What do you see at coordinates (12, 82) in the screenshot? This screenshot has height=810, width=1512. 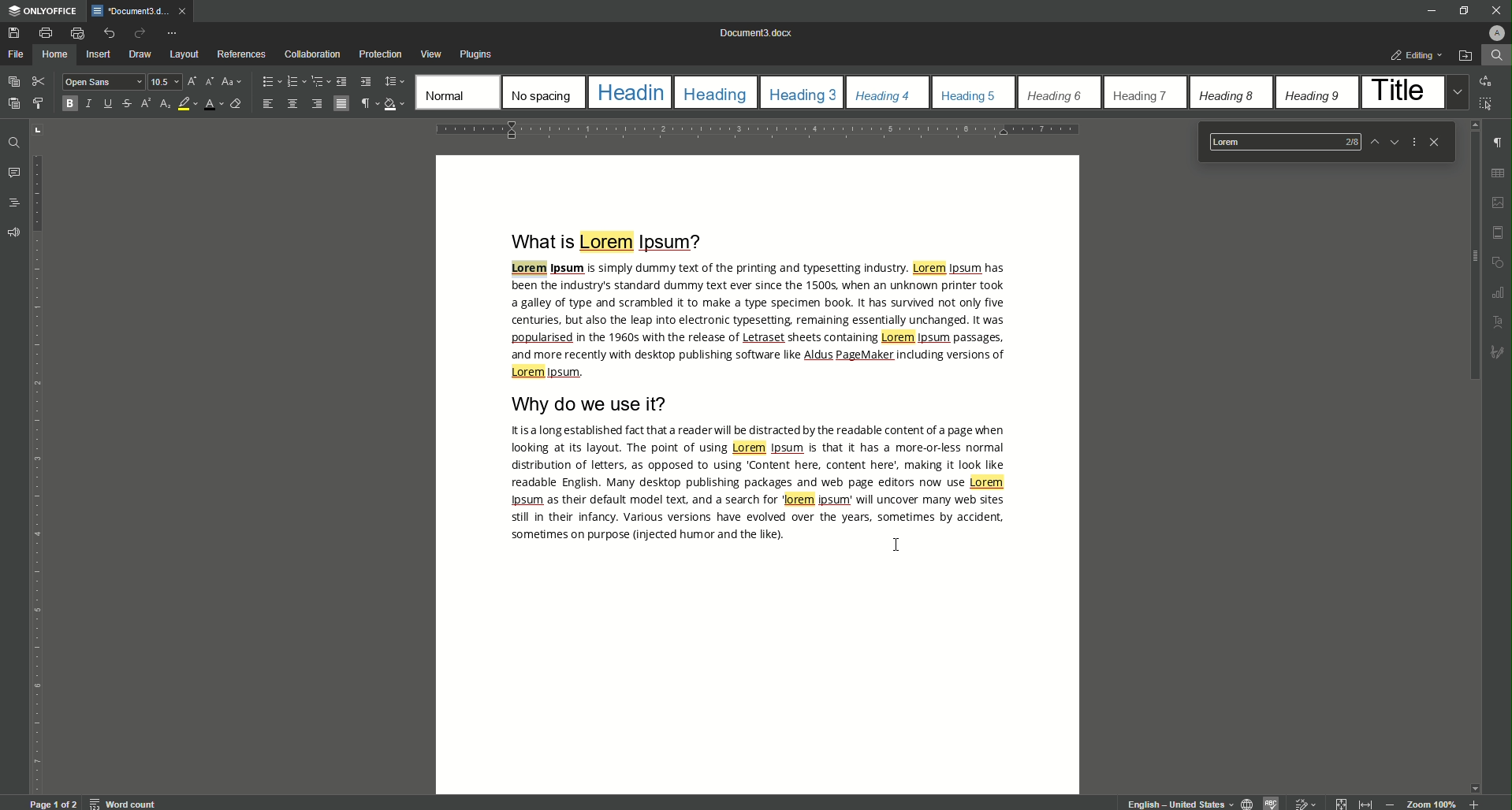 I see `Copy` at bounding box center [12, 82].